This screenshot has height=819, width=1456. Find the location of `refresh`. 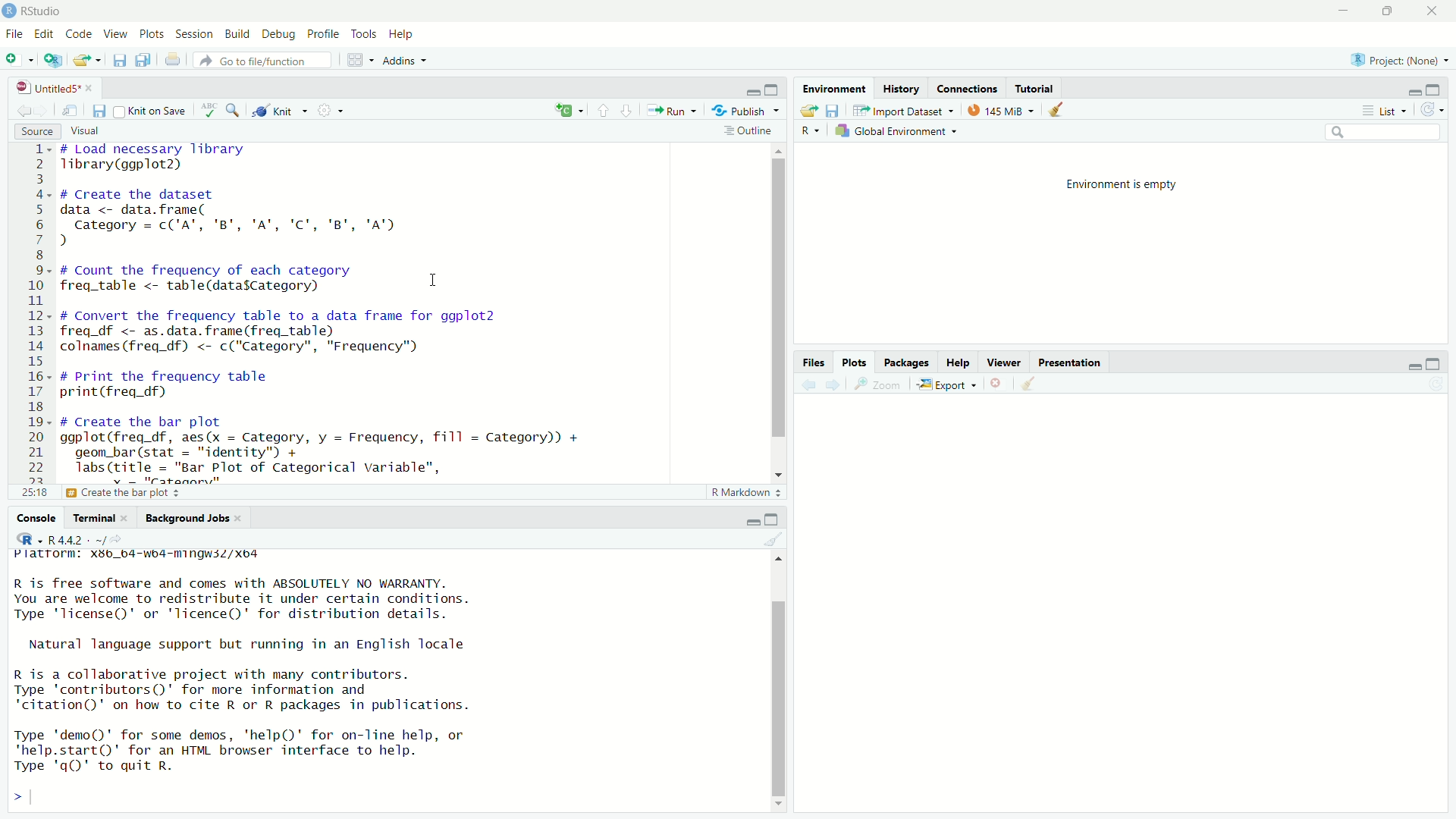

refresh is located at coordinates (1432, 110).